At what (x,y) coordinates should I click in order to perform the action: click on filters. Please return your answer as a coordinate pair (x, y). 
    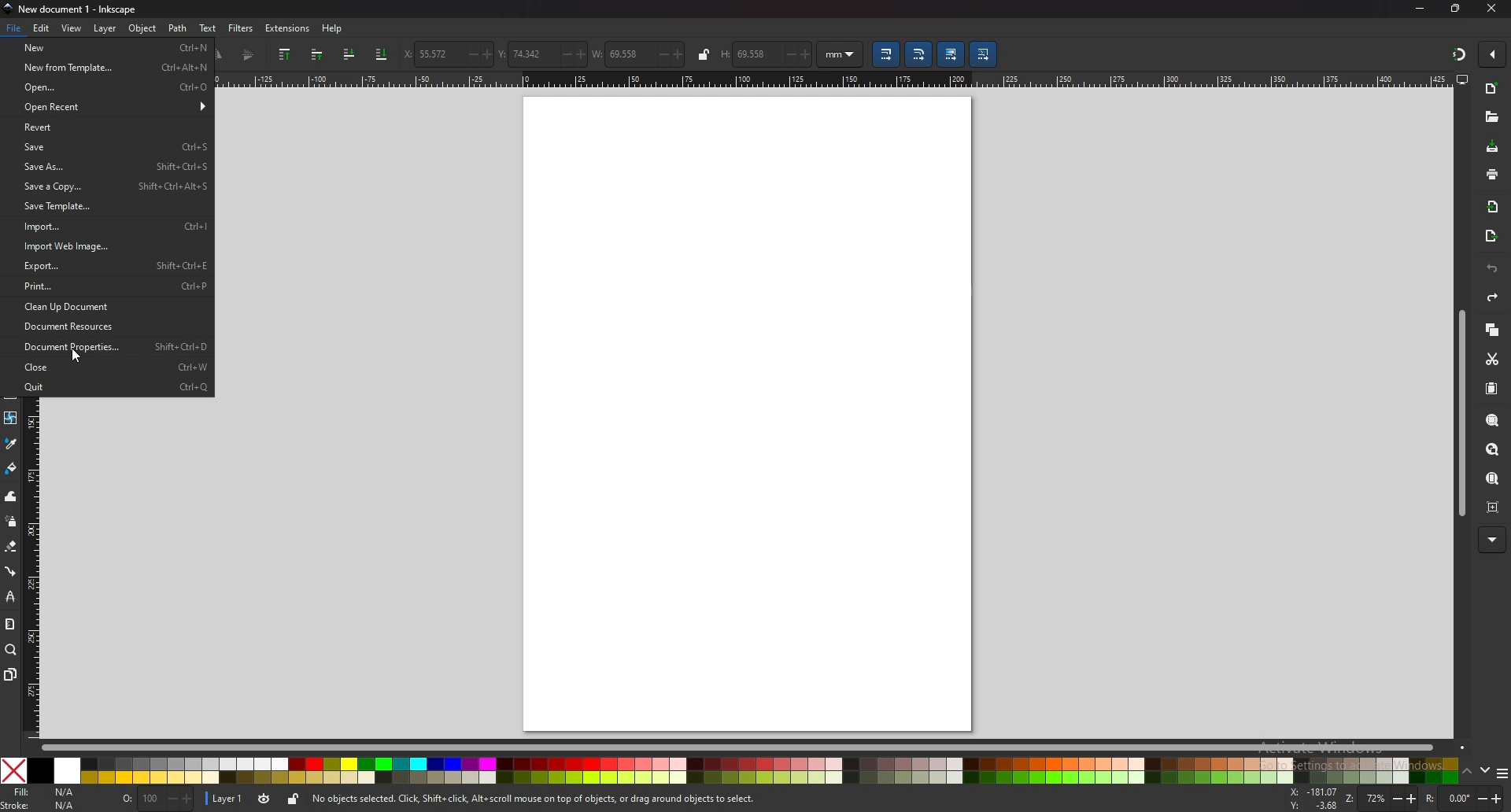
    Looking at the image, I should click on (241, 28).